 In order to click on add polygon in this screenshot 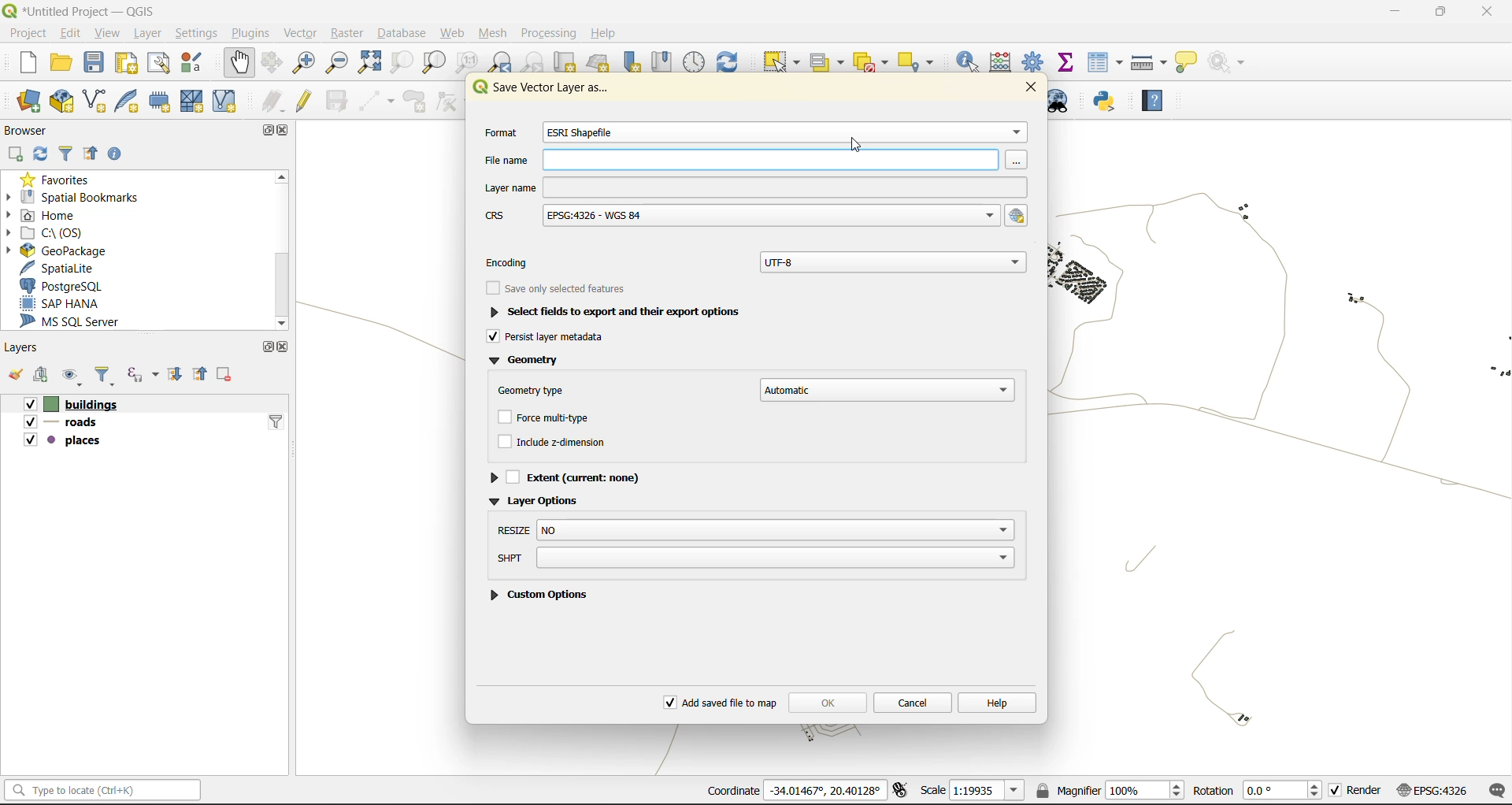, I will do `click(417, 102)`.